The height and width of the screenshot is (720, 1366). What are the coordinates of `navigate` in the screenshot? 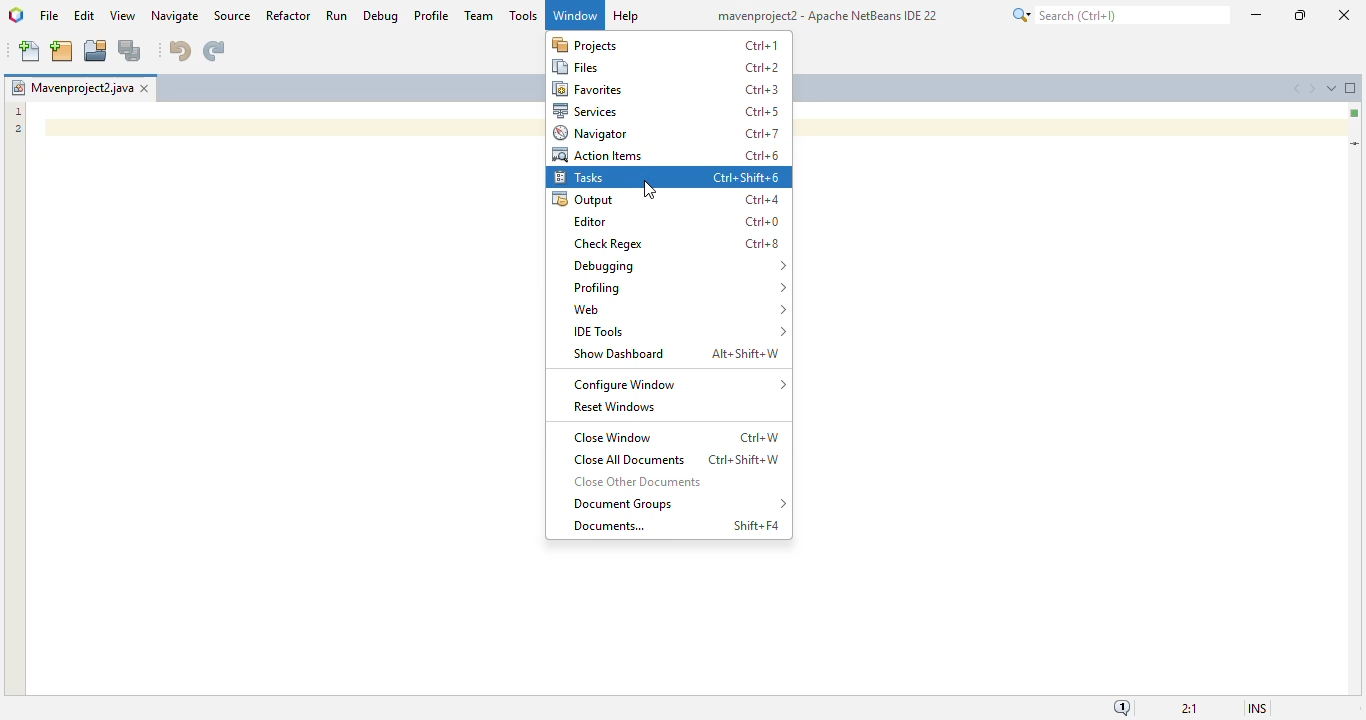 It's located at (175, 16).